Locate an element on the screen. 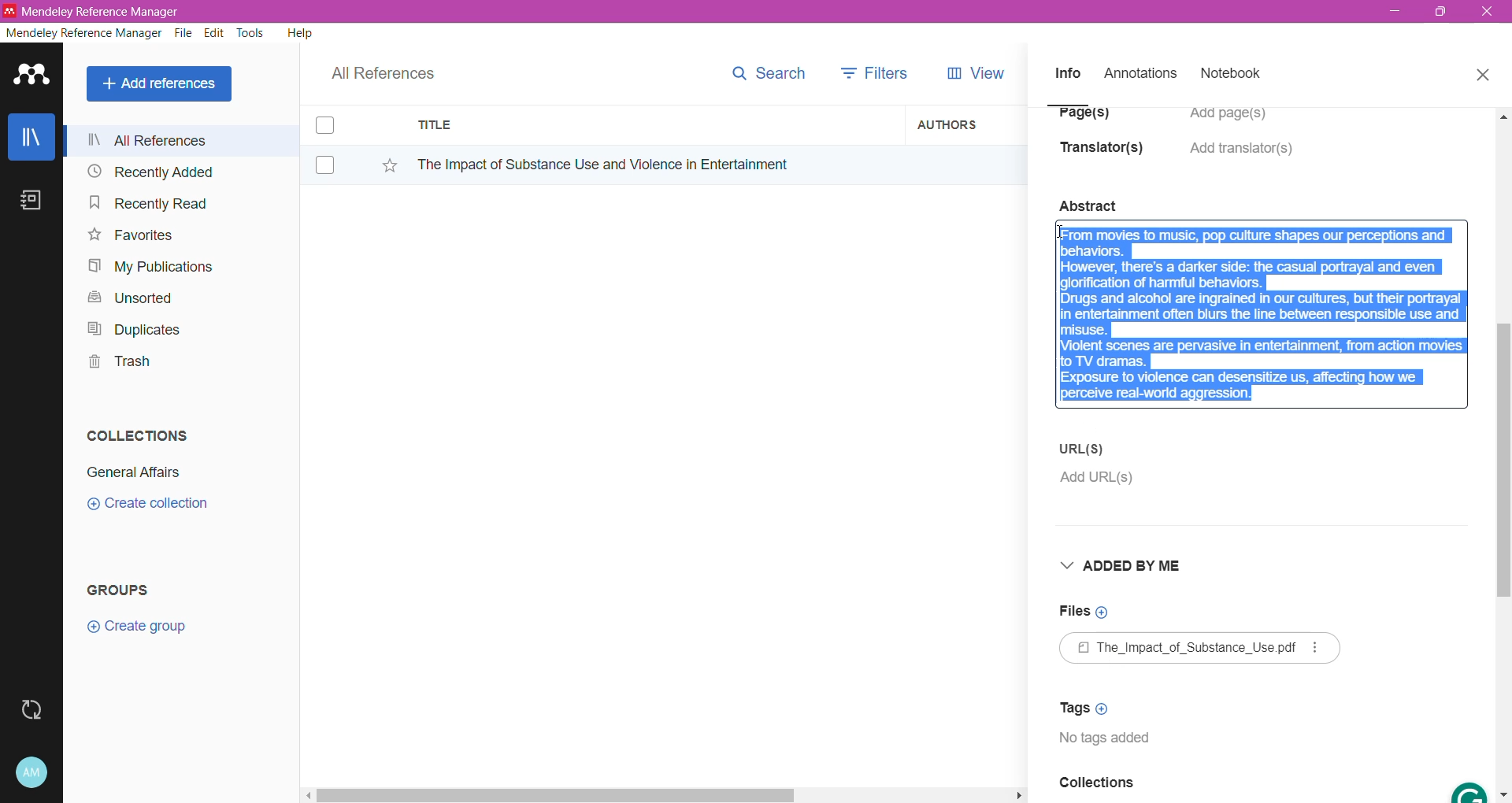 Image resolution: width=1512 pixels, height=803 pixels. Click to Add Files is located at coordinates (1083, 612).